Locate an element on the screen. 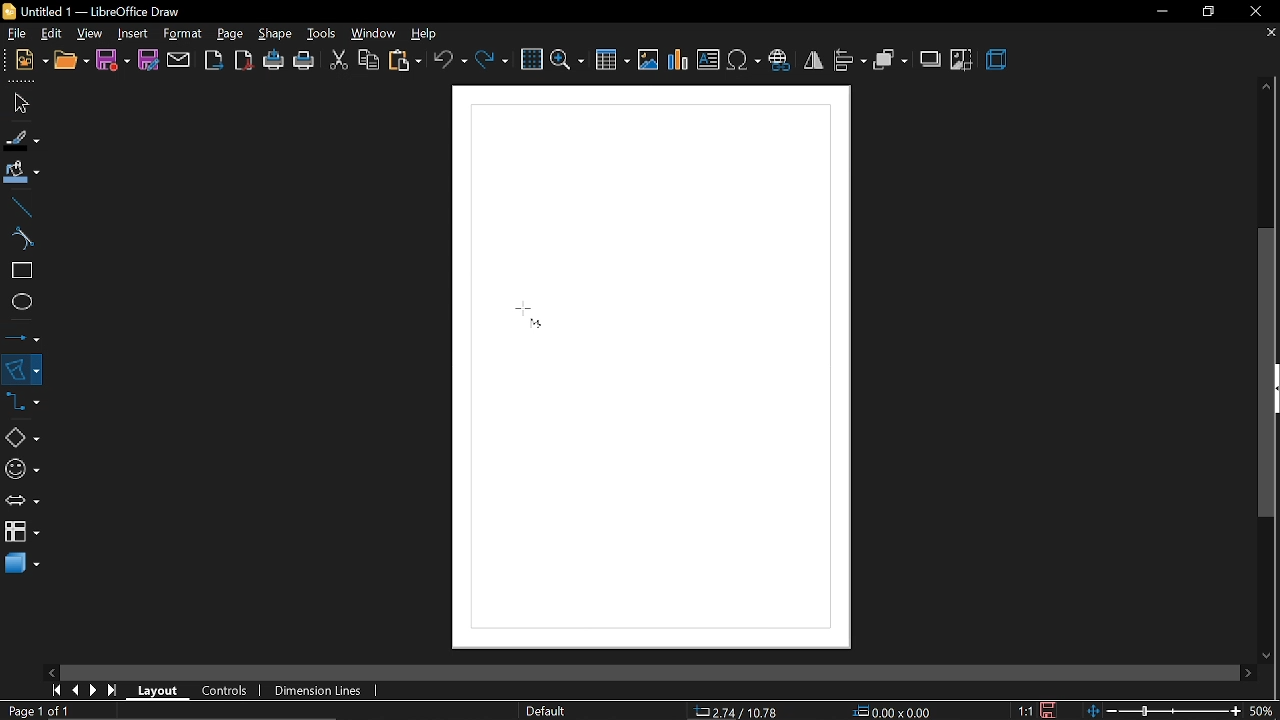 The image size is (1280, 720). open is located at coordinates (70, 61).